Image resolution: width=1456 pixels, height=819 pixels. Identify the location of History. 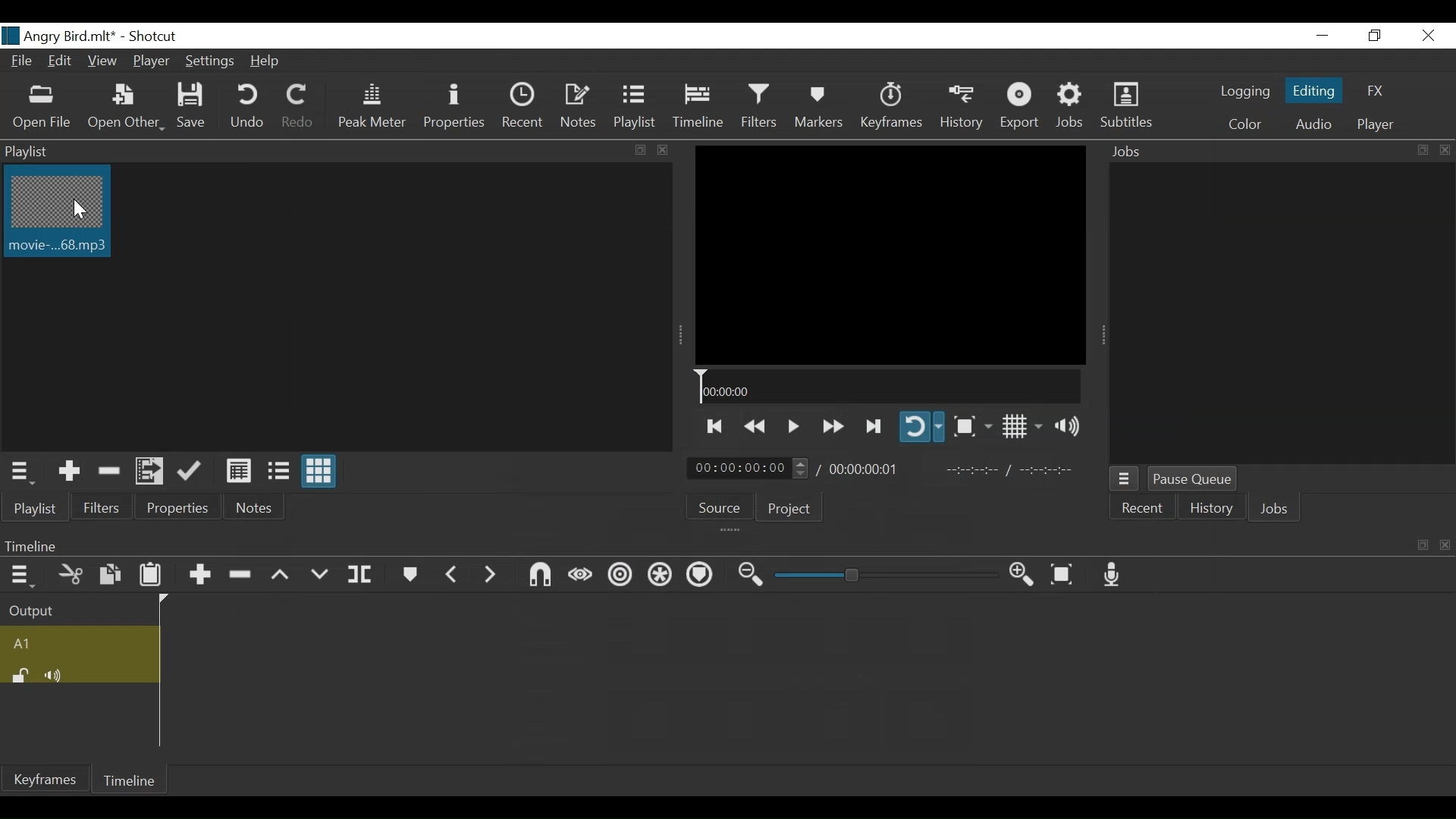
(961, 107).